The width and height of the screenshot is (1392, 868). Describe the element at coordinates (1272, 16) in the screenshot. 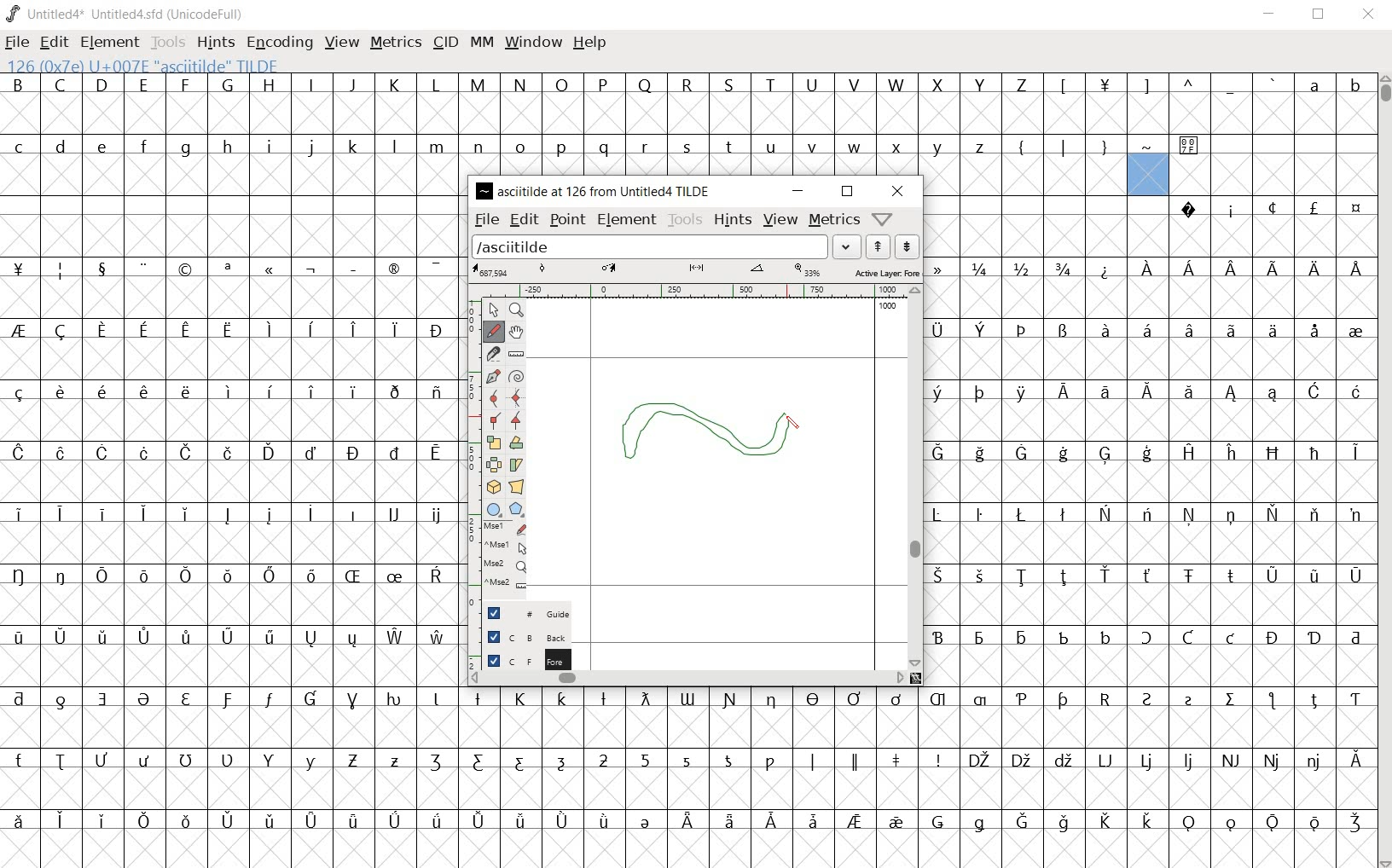

I see `MINIMIZE` at that location.